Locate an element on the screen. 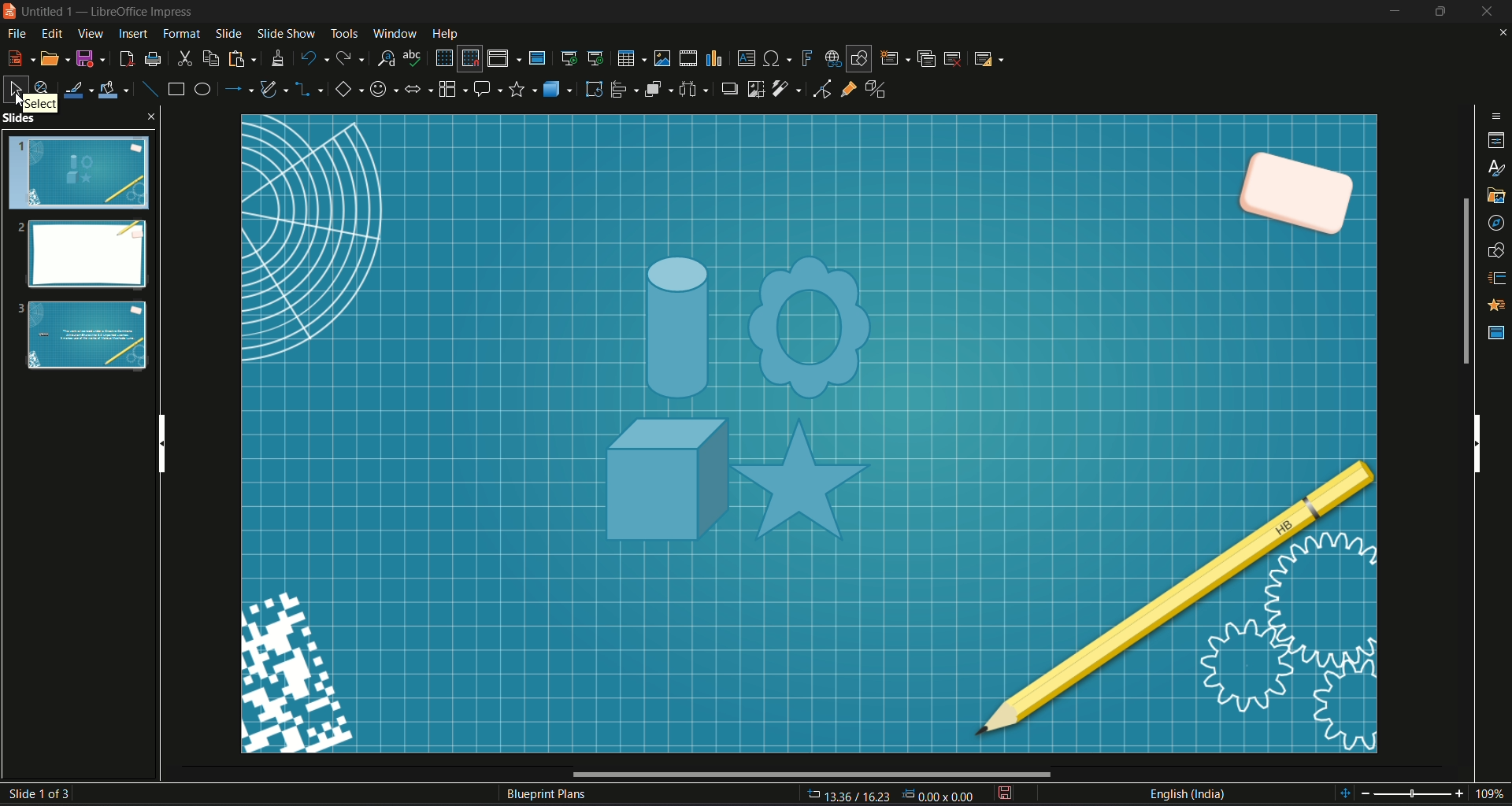 The width and height of the screenshot is (1512, 806). rectangle is located at coordinates (176, 88).